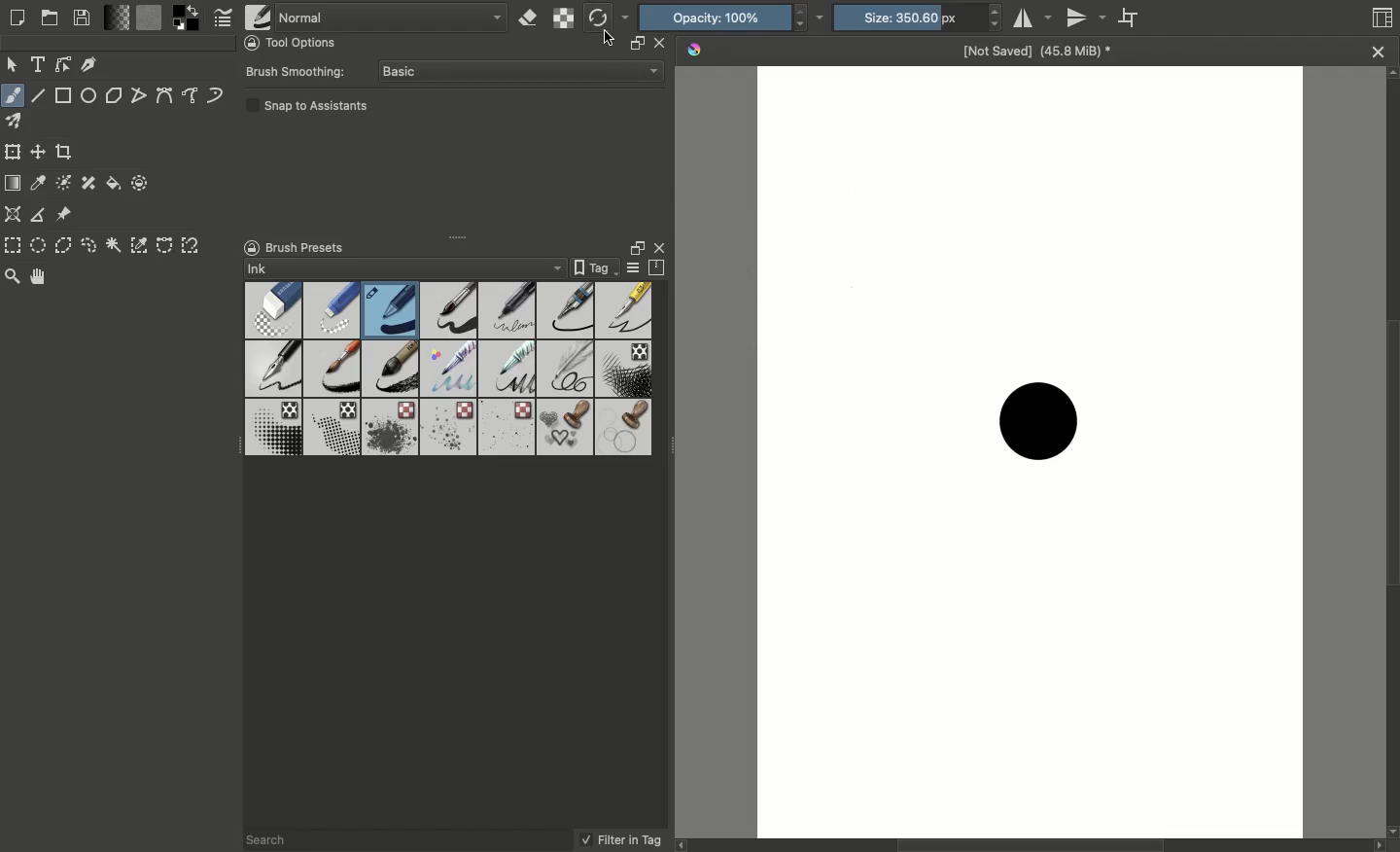 This screenshot has width=1400, height=852. What do you see at coordinates (608, 37) in the screenshot?
I see `cursor` at bounding box center [608, 37].